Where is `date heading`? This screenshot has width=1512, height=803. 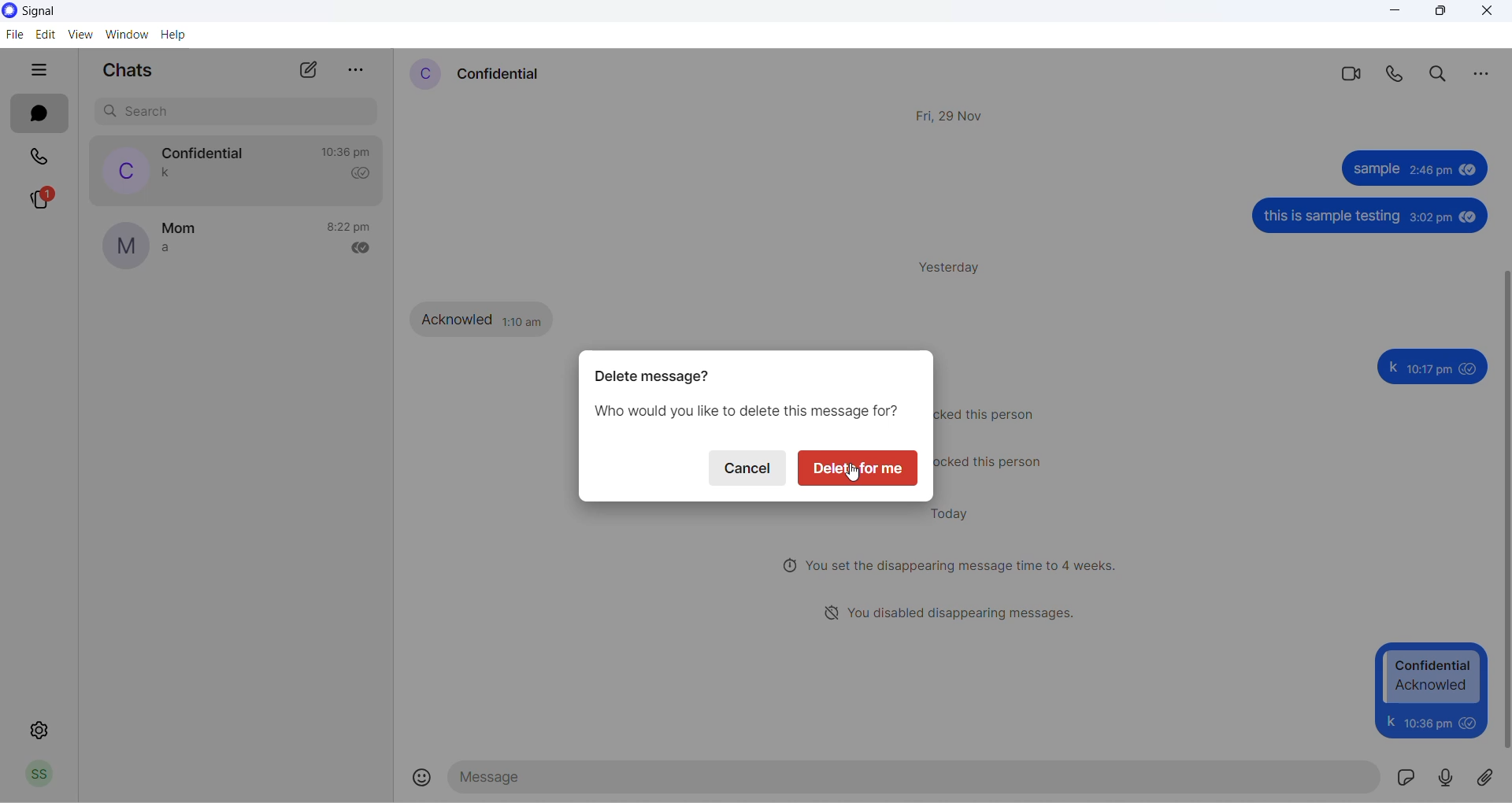 date heading is located at coordinates (953, 117).